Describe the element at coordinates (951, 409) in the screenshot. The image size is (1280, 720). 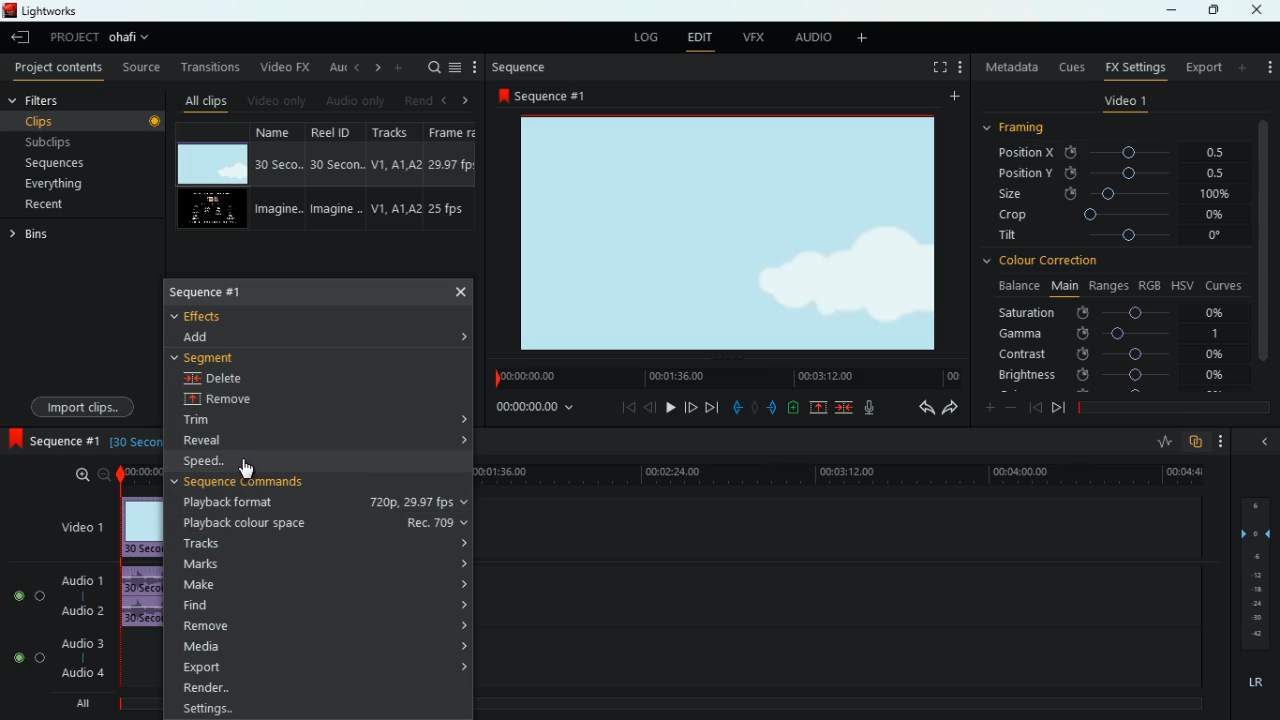
I see `forward` at that location.